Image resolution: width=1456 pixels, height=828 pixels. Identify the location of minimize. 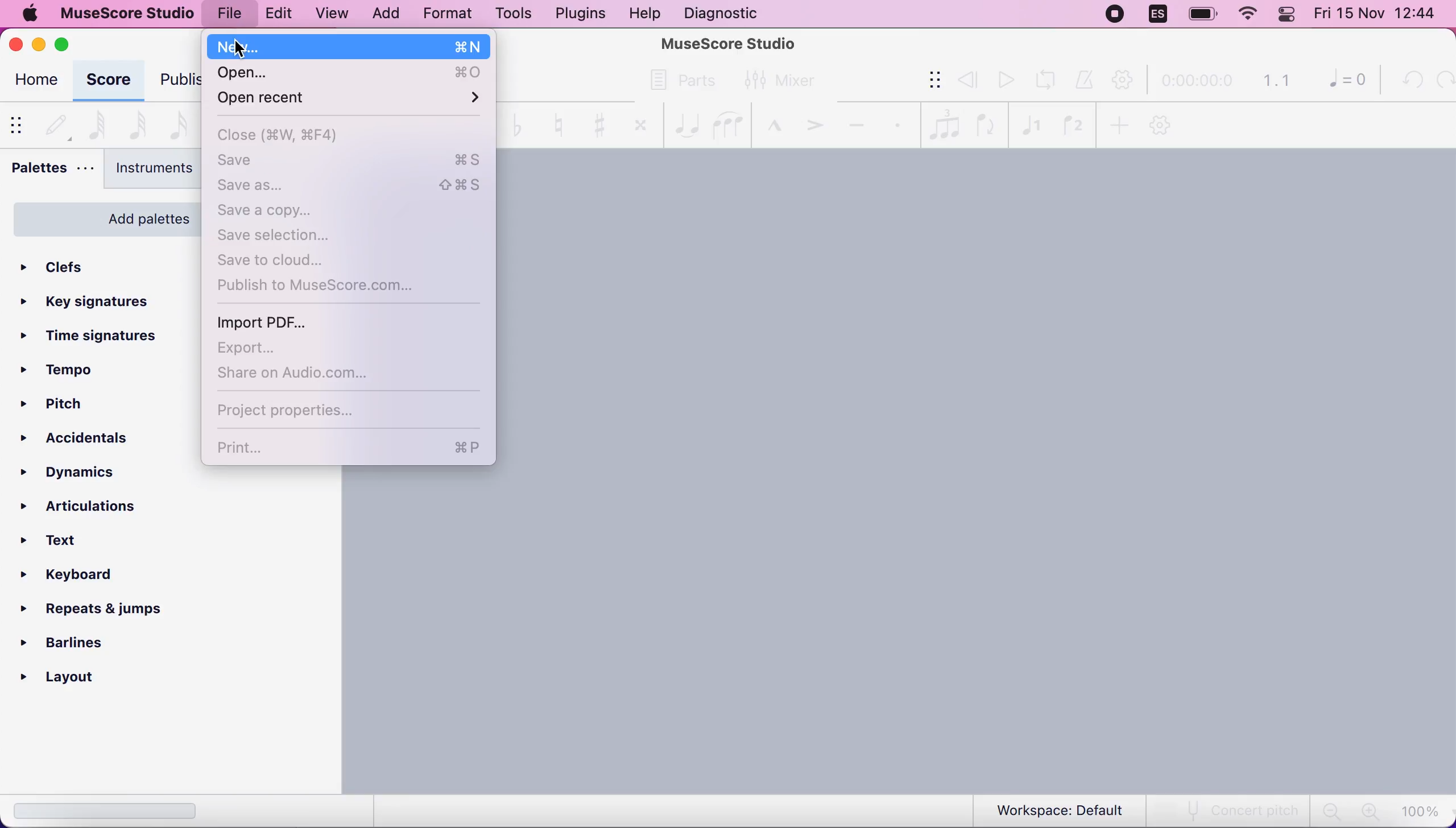
(38, 42).